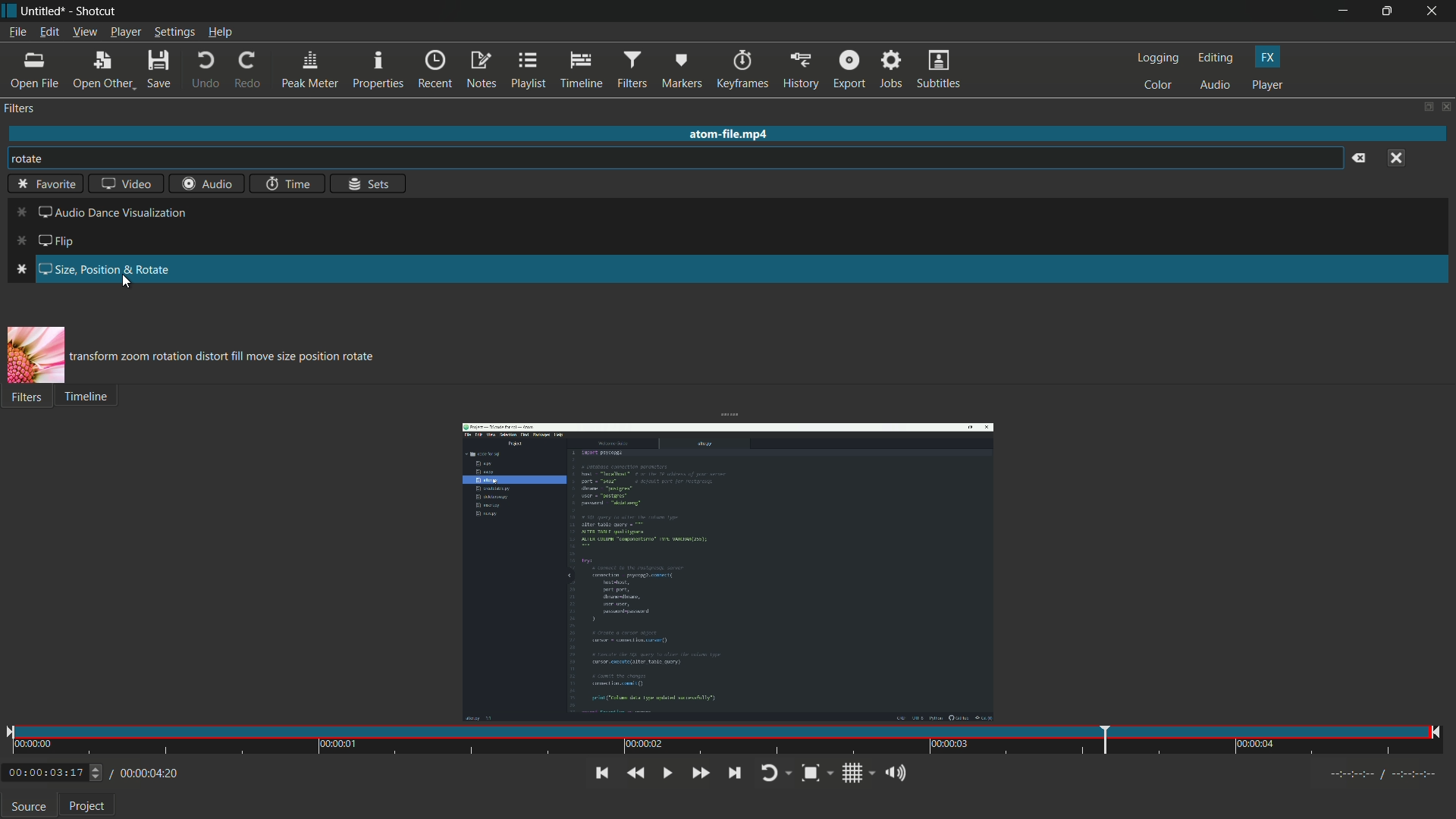  Describe the element at coordinates (854, 773) in the screenshot. I see `toggle grid` at that location.